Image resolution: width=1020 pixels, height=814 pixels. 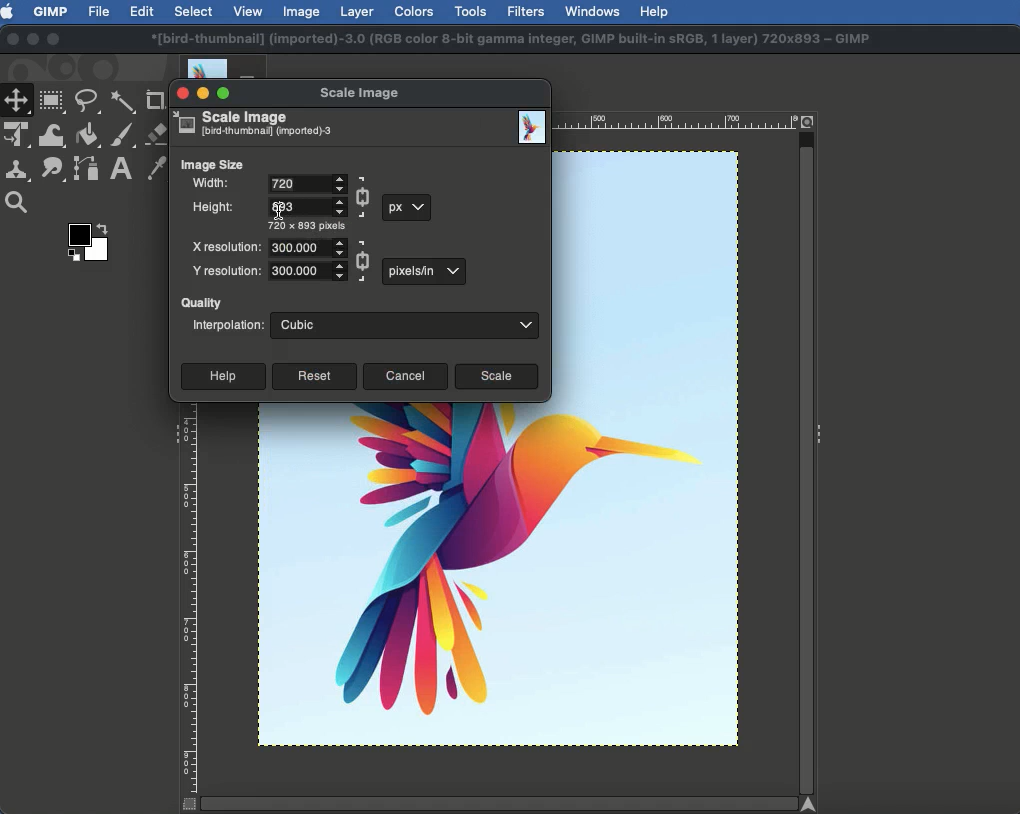 What do you see at coordinates (202, 91) in the screenshot?
I see `Minimize` at bounding box center [202, 91].